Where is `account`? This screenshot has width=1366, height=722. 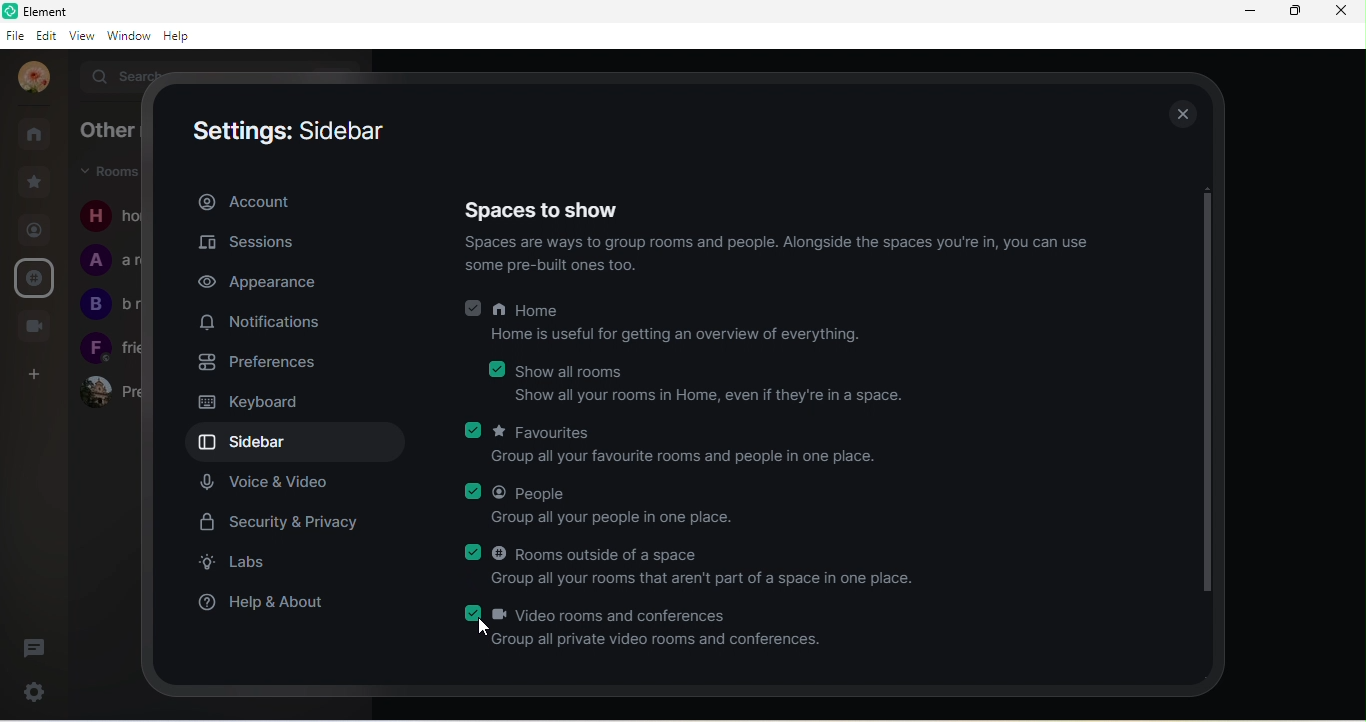 account is located at coordinates (244, 203).